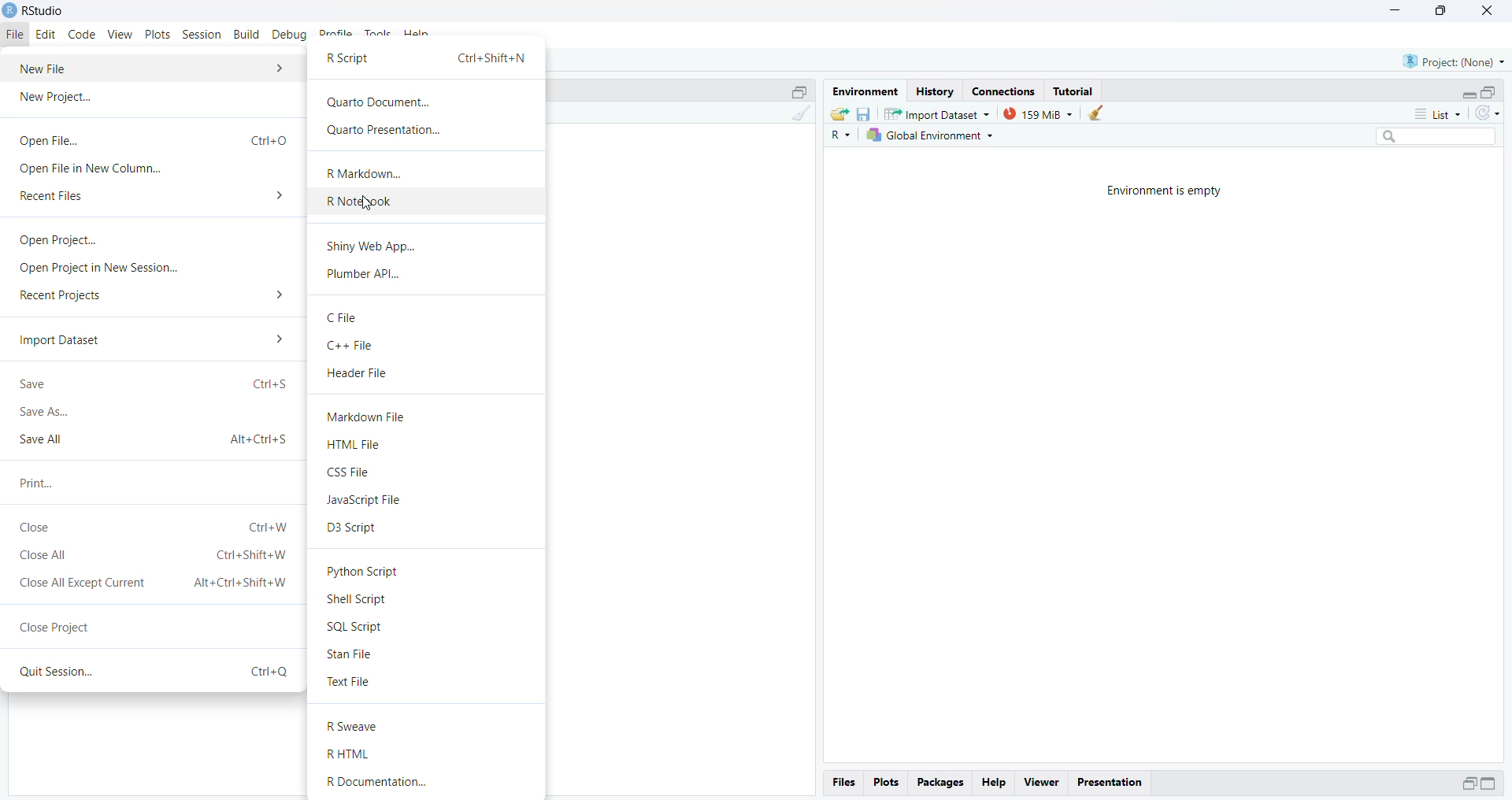  I want to click on R Notebook, so click(361, 201).